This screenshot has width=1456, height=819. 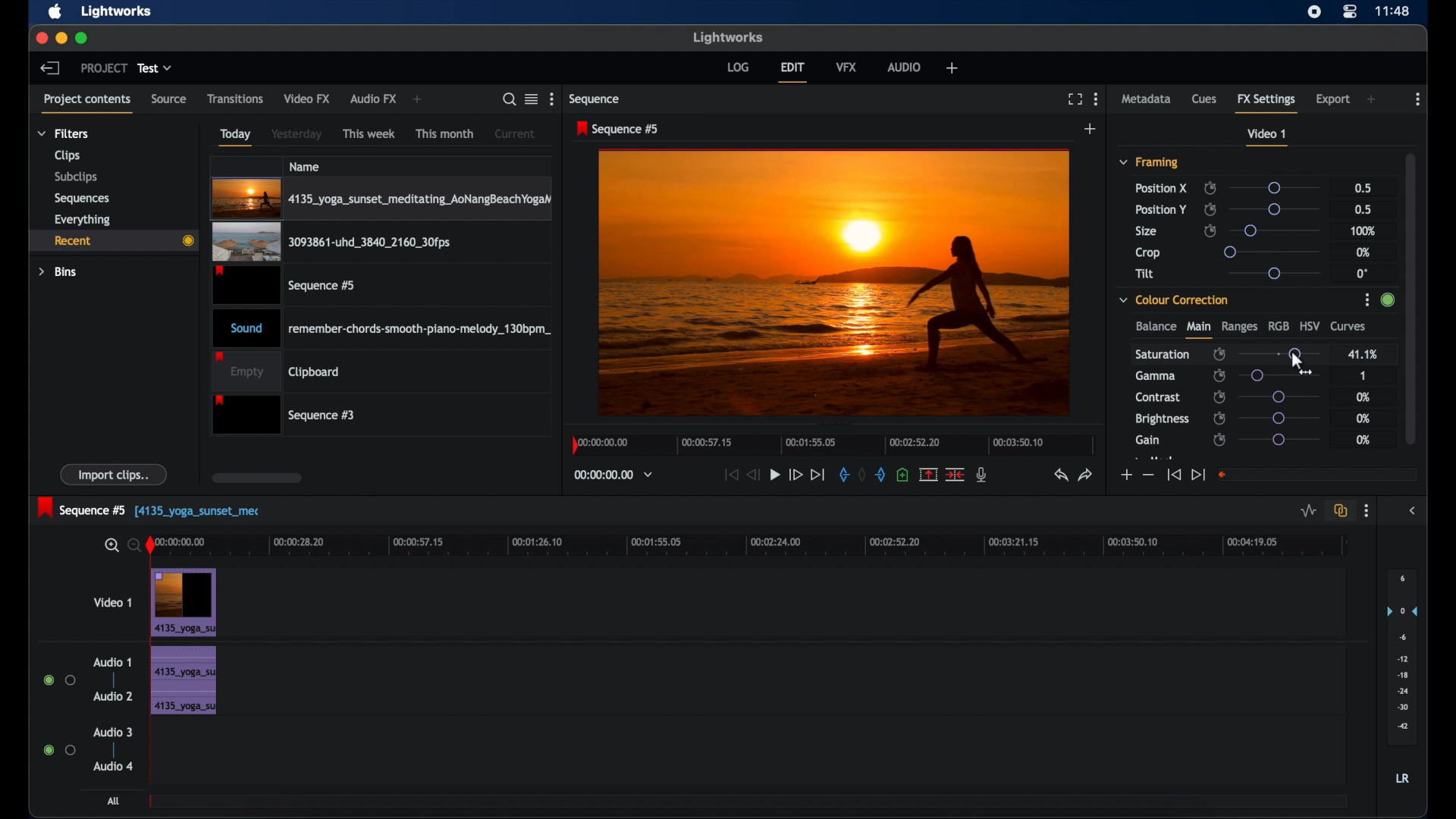 What do you see at coordinates (1219, 418) in the screenshot?
I see `enable/disable keyframes` at bounding box center [1219, 418].